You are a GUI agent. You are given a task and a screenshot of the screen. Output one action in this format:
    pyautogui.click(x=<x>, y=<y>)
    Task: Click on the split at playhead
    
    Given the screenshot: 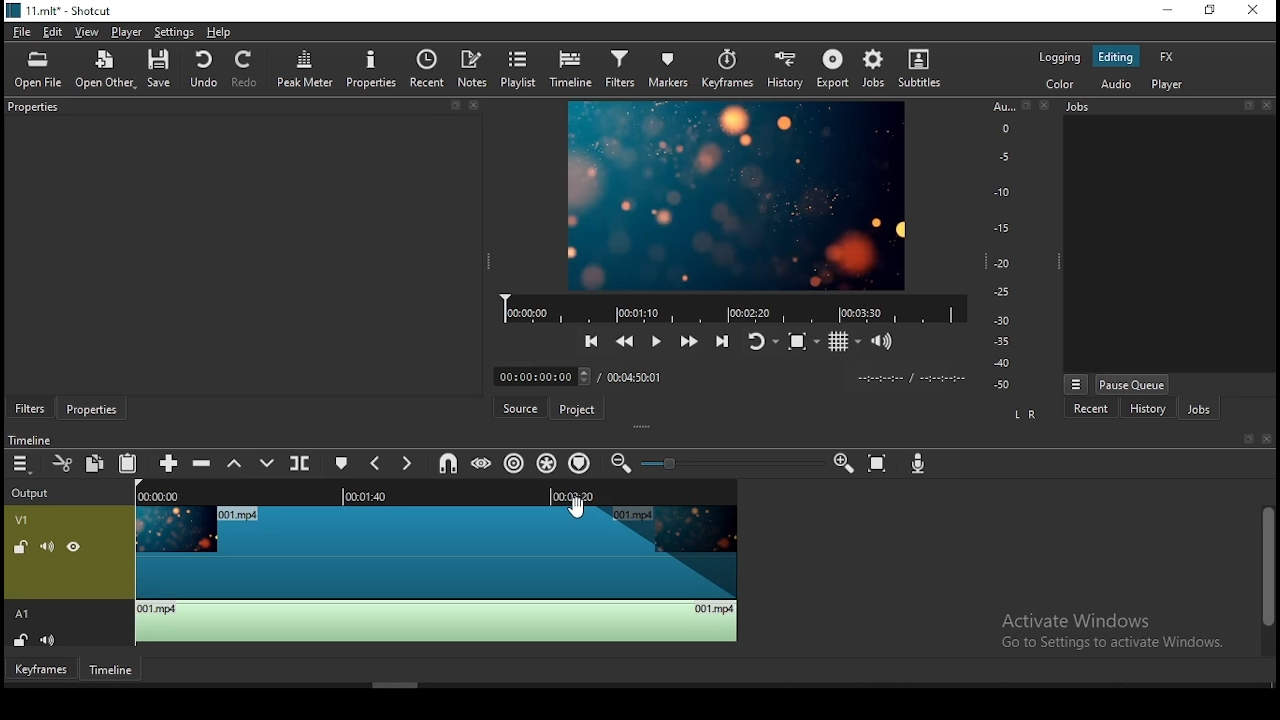 What is the action you would take?
    pyautogui.click(x=303, y=462)
    